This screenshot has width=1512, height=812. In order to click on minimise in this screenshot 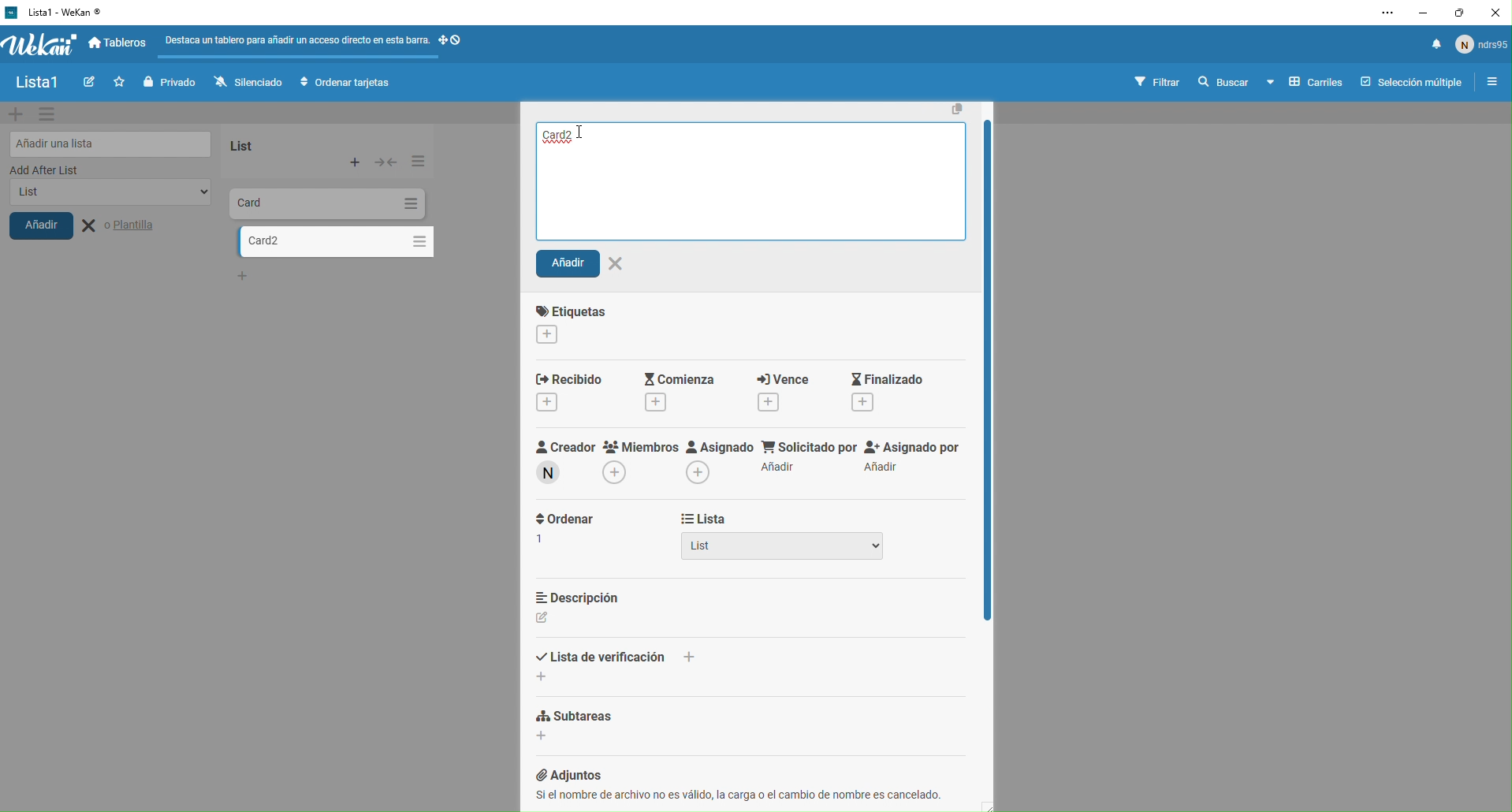, I will do `click(1421, 12)`.